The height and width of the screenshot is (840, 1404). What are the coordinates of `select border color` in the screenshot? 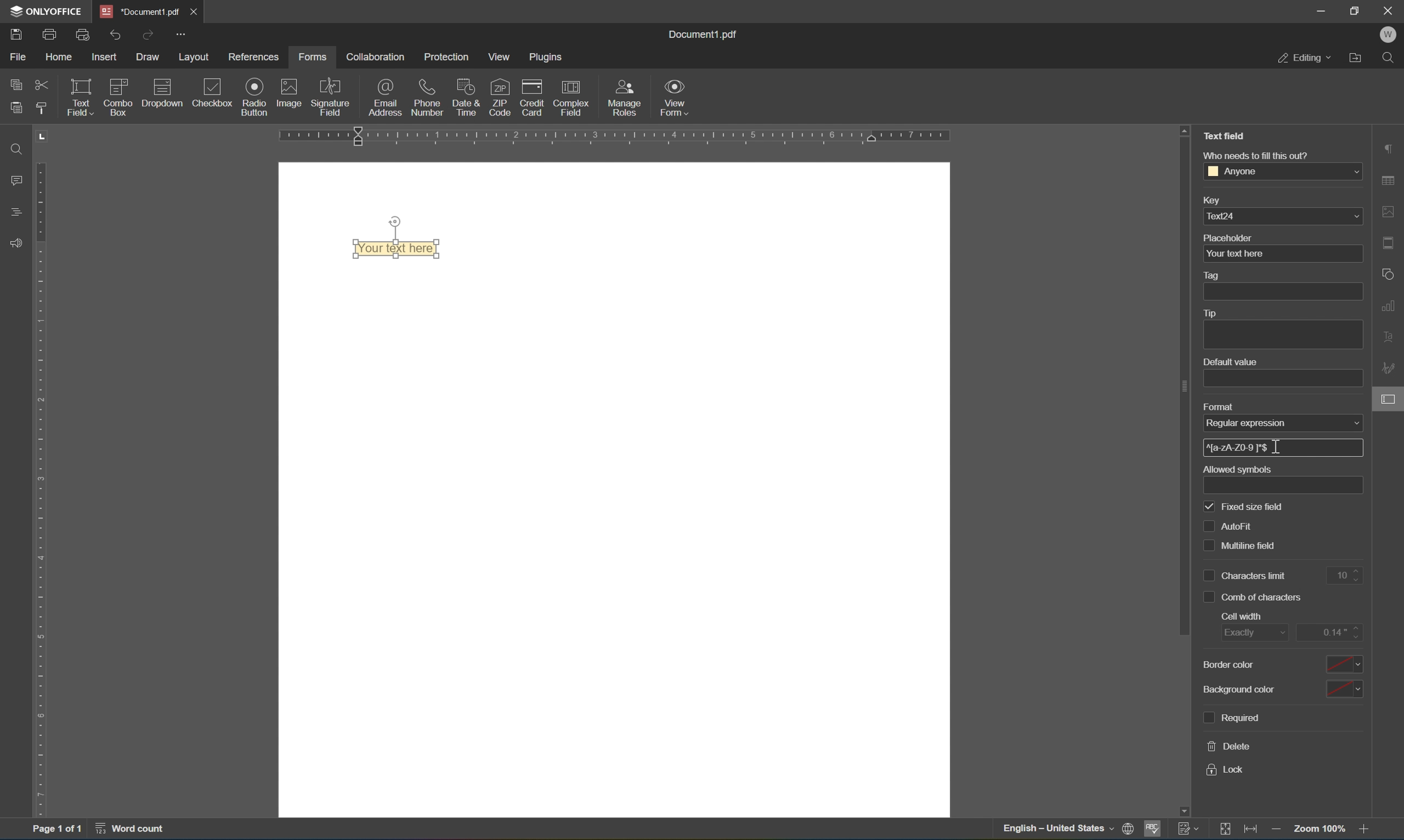 It's located at (1342, 663).